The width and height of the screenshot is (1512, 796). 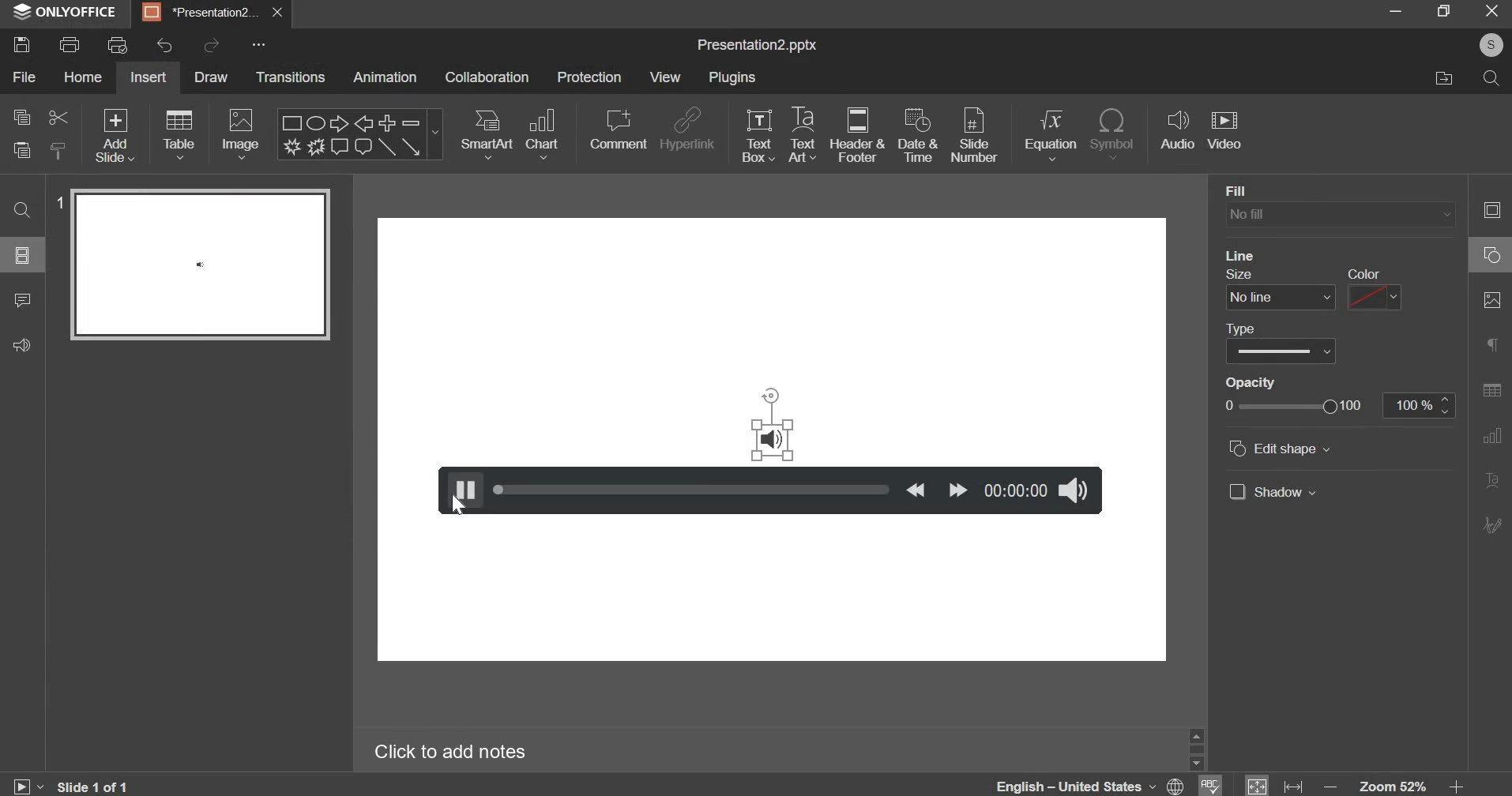 What do you see at coordinates (1445, 405) in the screenshot?
I see `increase/decrease opacity` at bounding box center [1445, 405].